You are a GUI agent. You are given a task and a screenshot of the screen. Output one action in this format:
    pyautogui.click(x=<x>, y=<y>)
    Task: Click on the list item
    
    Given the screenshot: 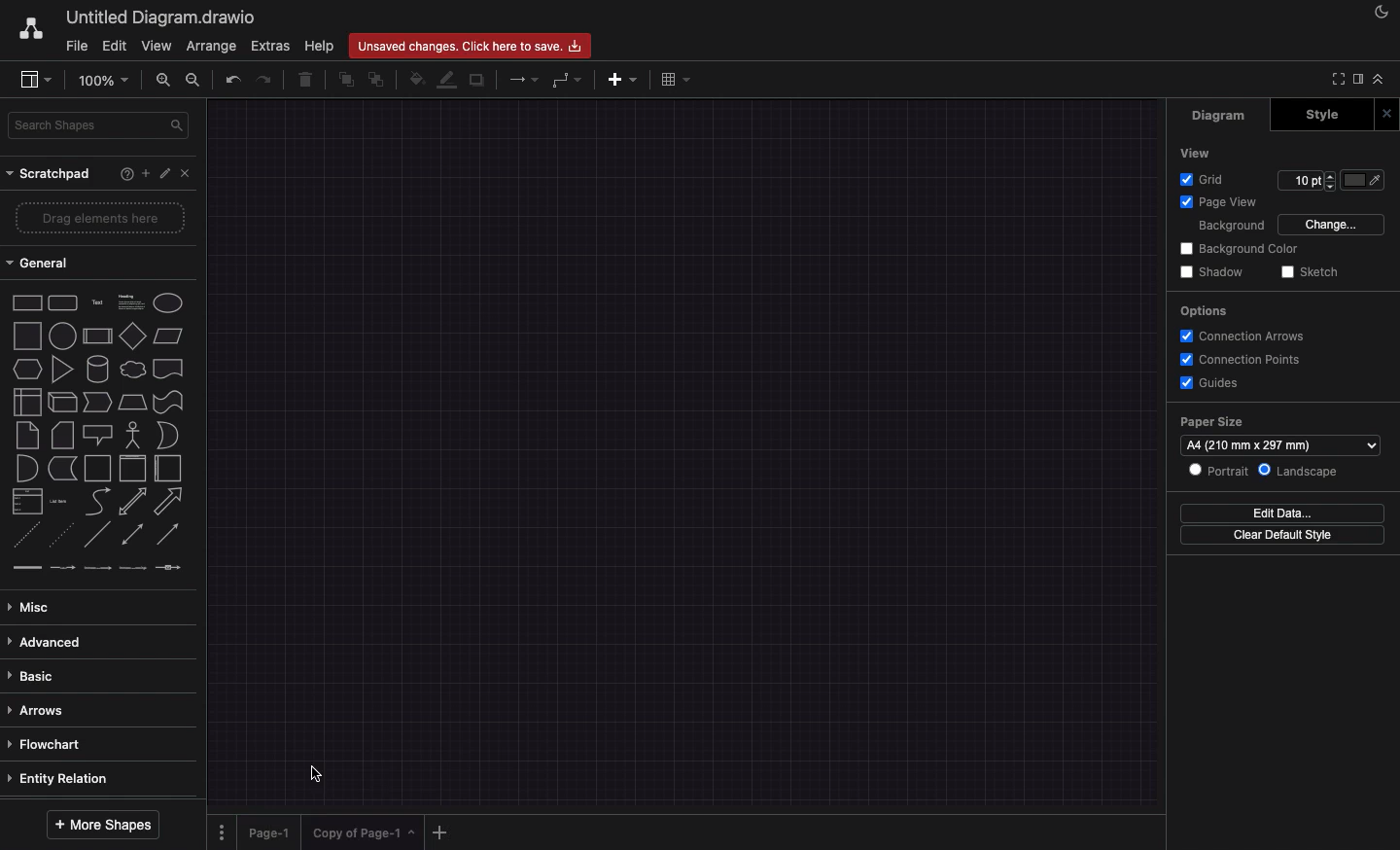 What is the action you would take?
    pyautogui.click(x=57, y=501)
    